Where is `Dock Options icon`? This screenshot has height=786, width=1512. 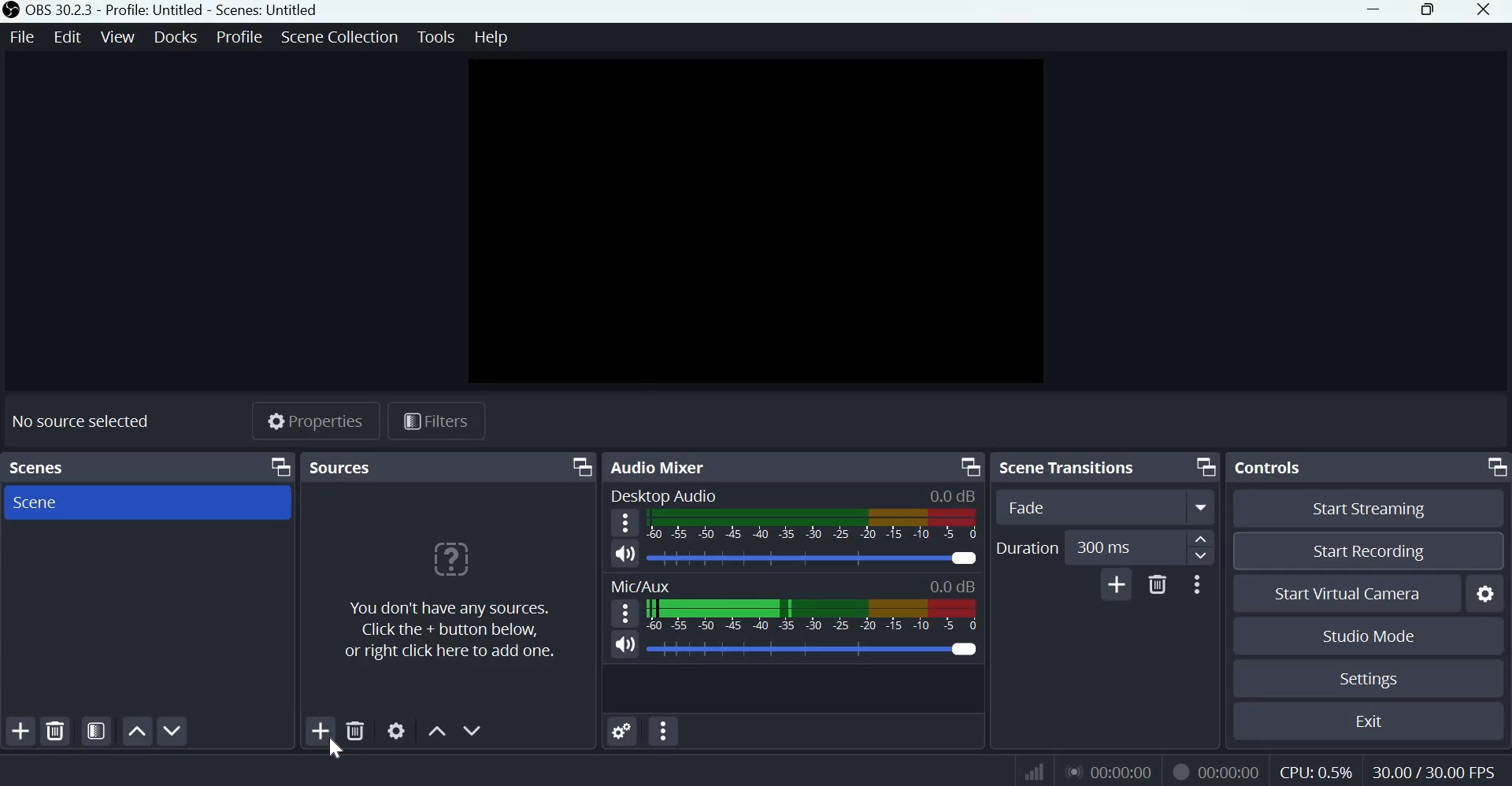
Dock Options icon is located at coordinates (1493, 468).